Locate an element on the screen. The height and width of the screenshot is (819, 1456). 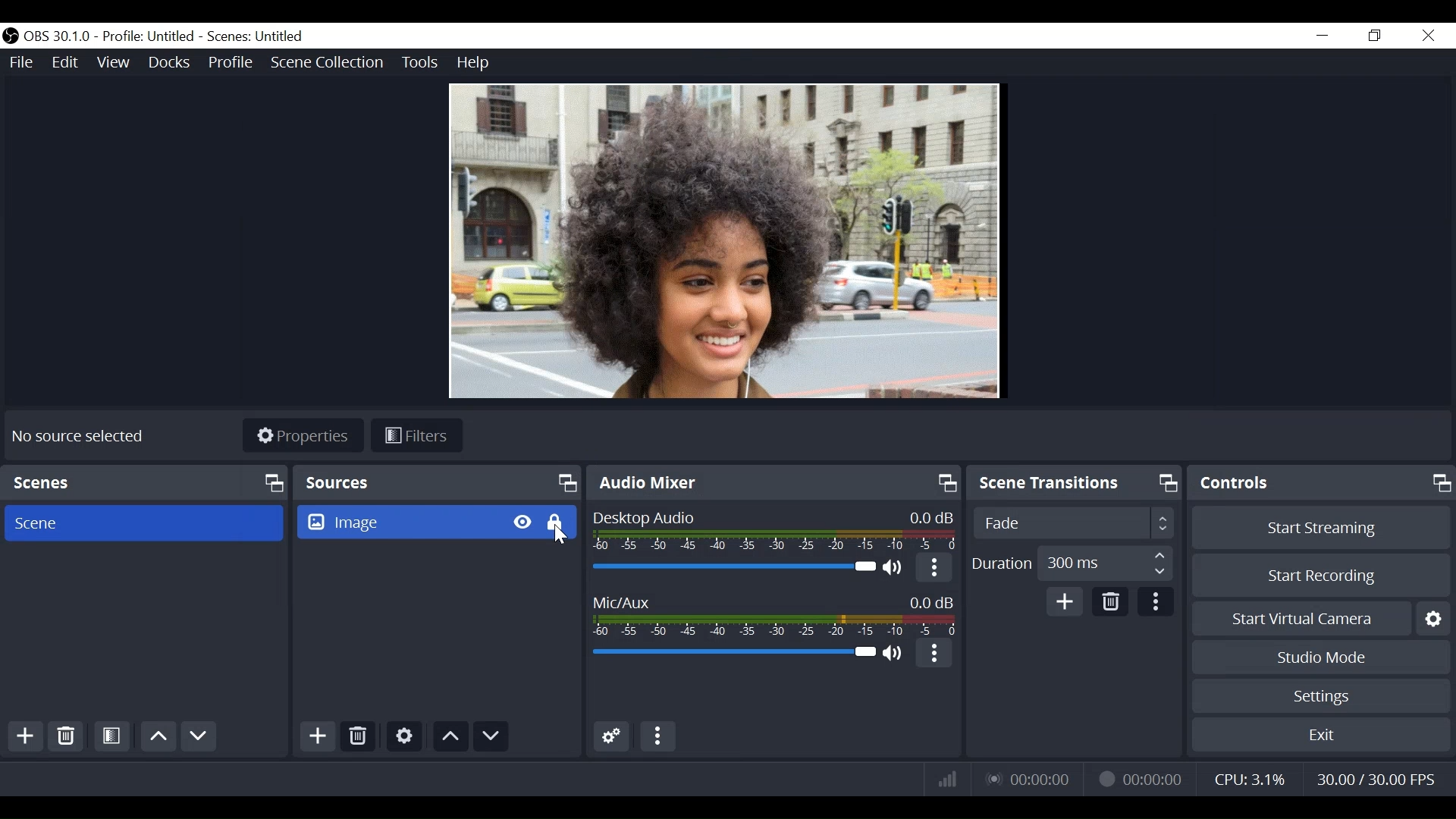
more Options is located at coordinates (931, 653).